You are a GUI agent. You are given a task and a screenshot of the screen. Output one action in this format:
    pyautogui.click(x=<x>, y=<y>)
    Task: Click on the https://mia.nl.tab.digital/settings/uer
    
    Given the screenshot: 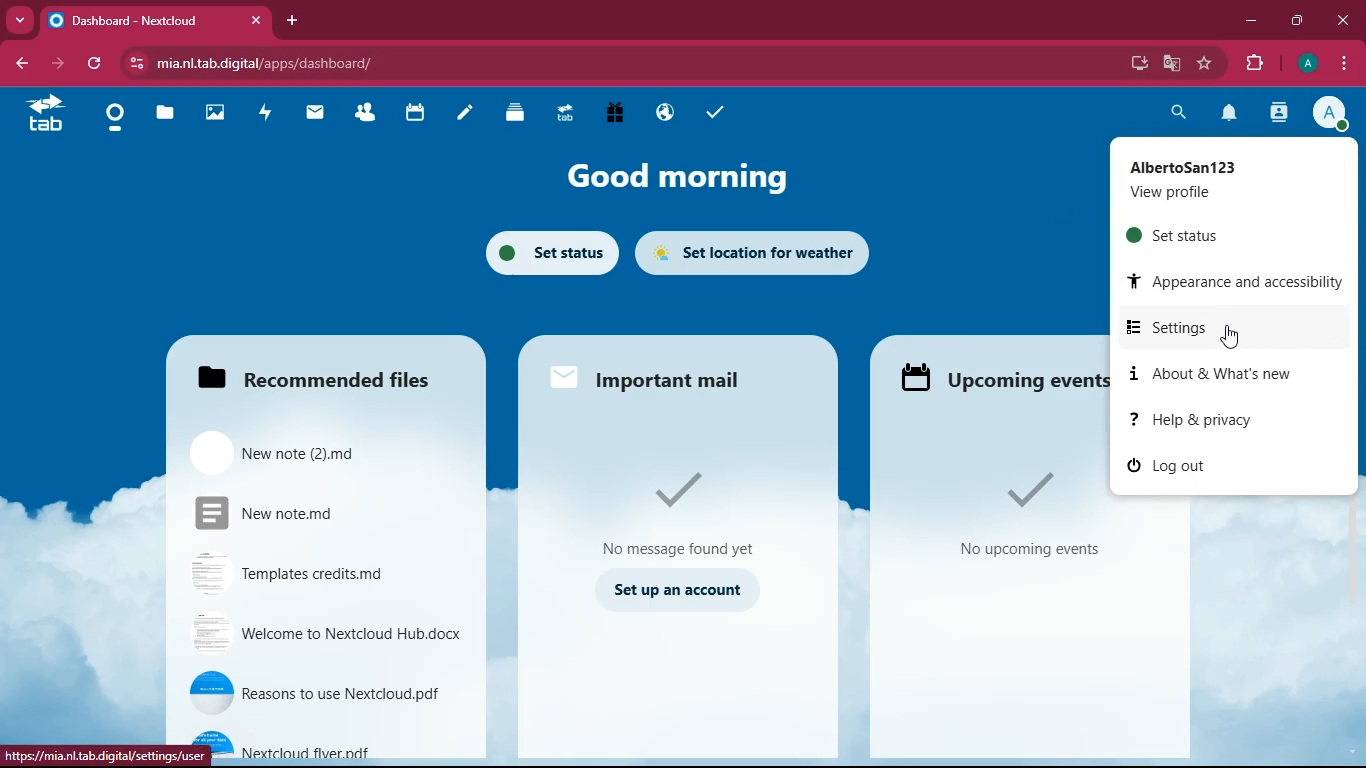 What is the action you would take?
    pyautogui.click(x=104, y=756)
    